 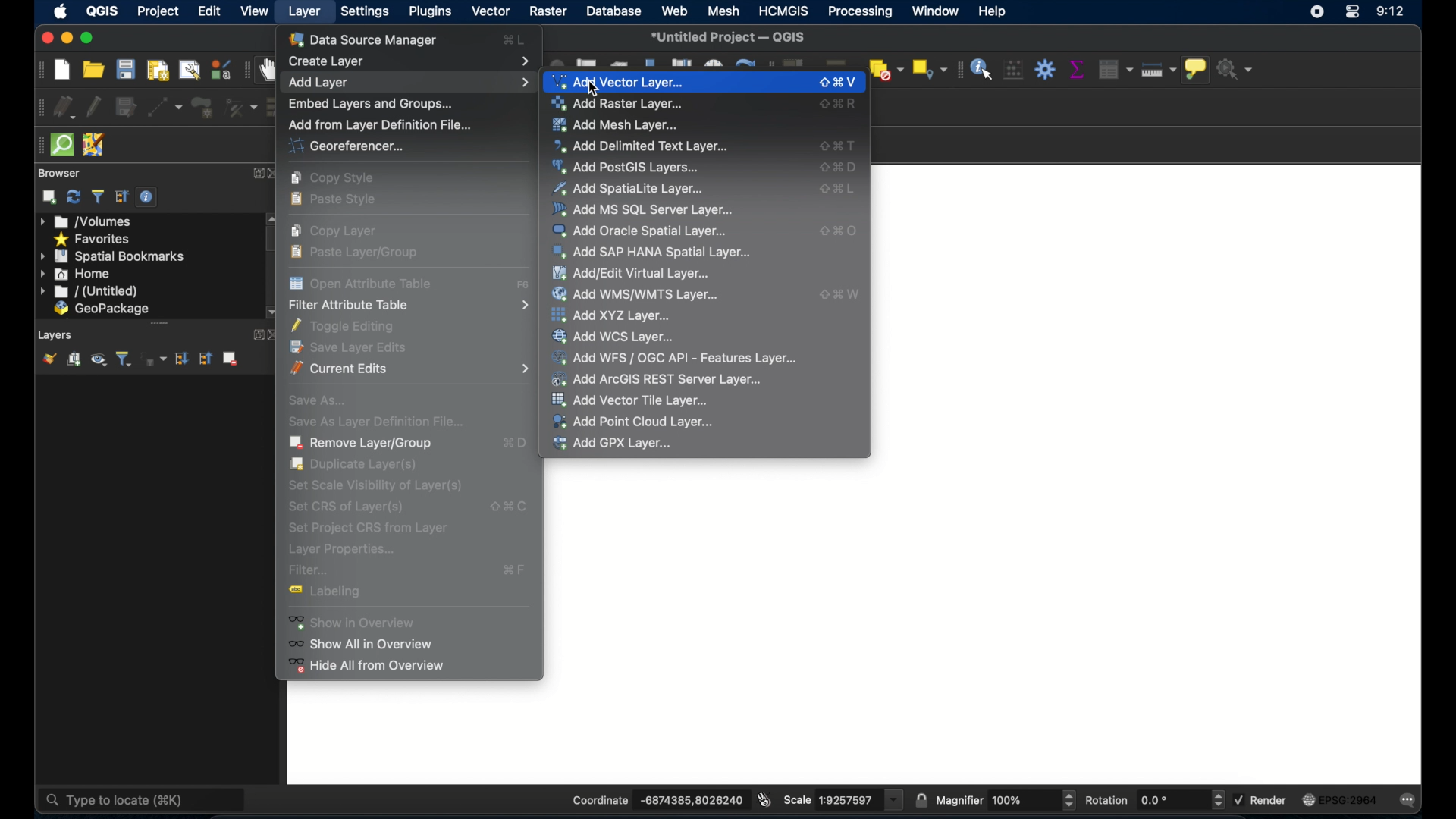 I want to click on project, so click(x=158, y=11).